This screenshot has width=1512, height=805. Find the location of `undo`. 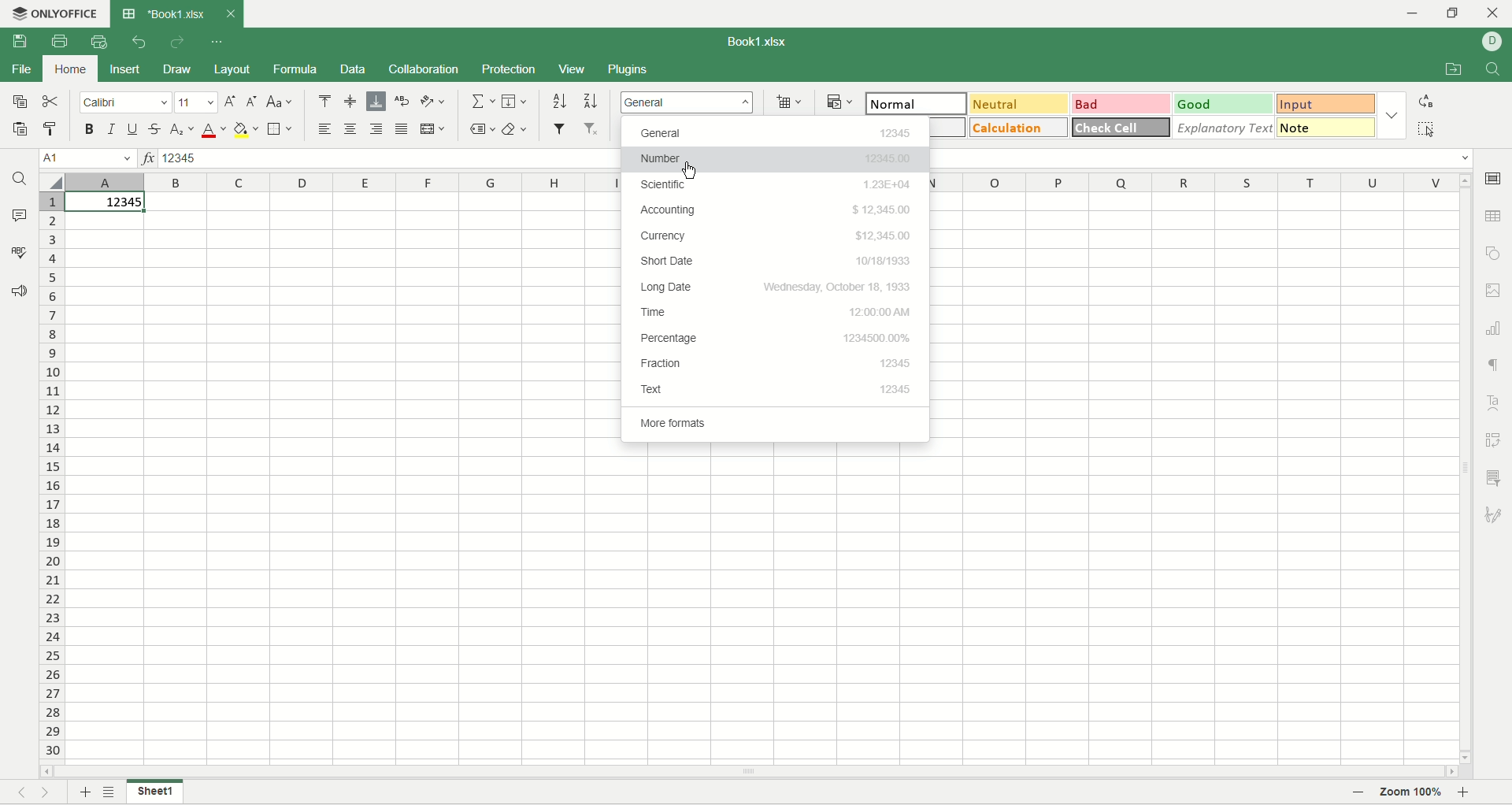

undo is located at coordinates (141, 43).